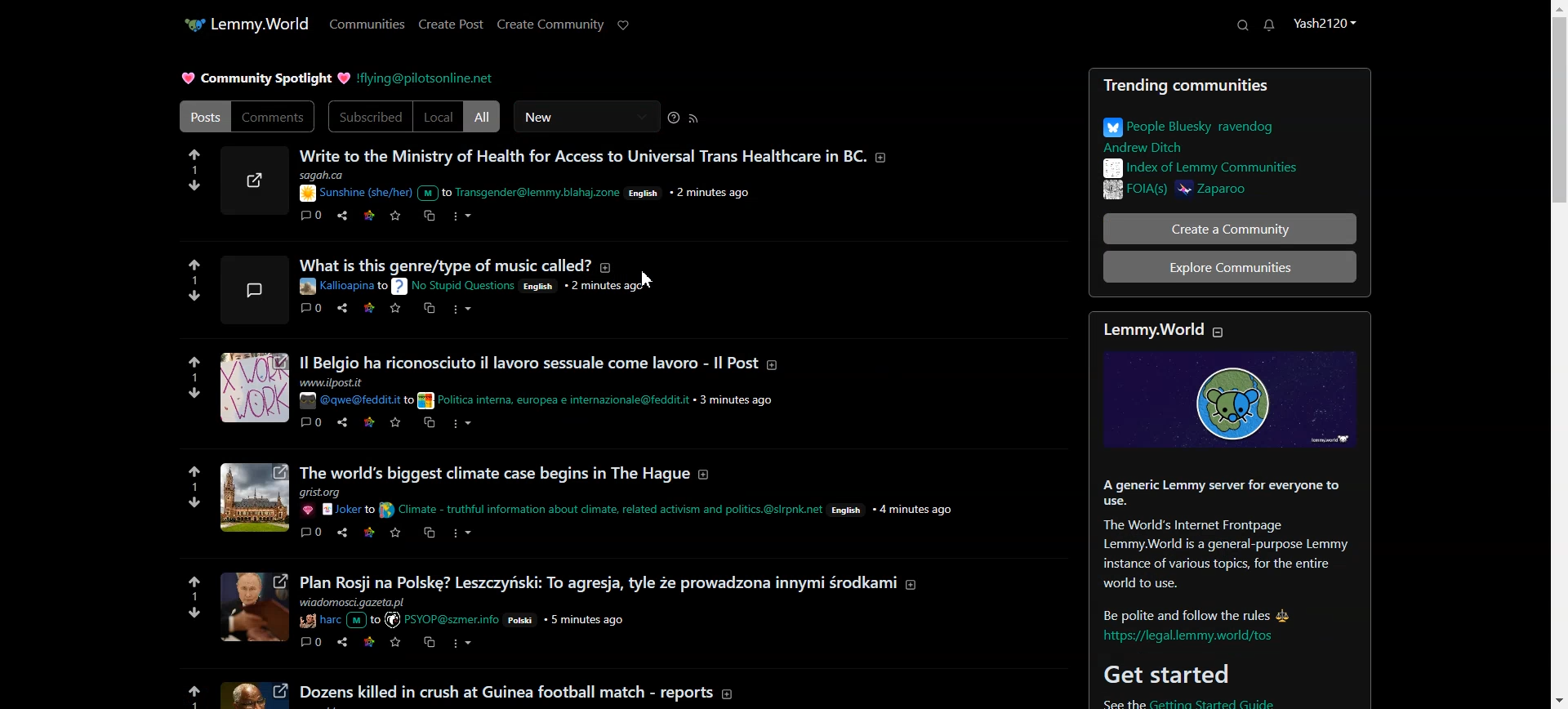  What do you see at coordinates (468, 426) in the screenshot?
I see `more` at bounding box center [468, 426].